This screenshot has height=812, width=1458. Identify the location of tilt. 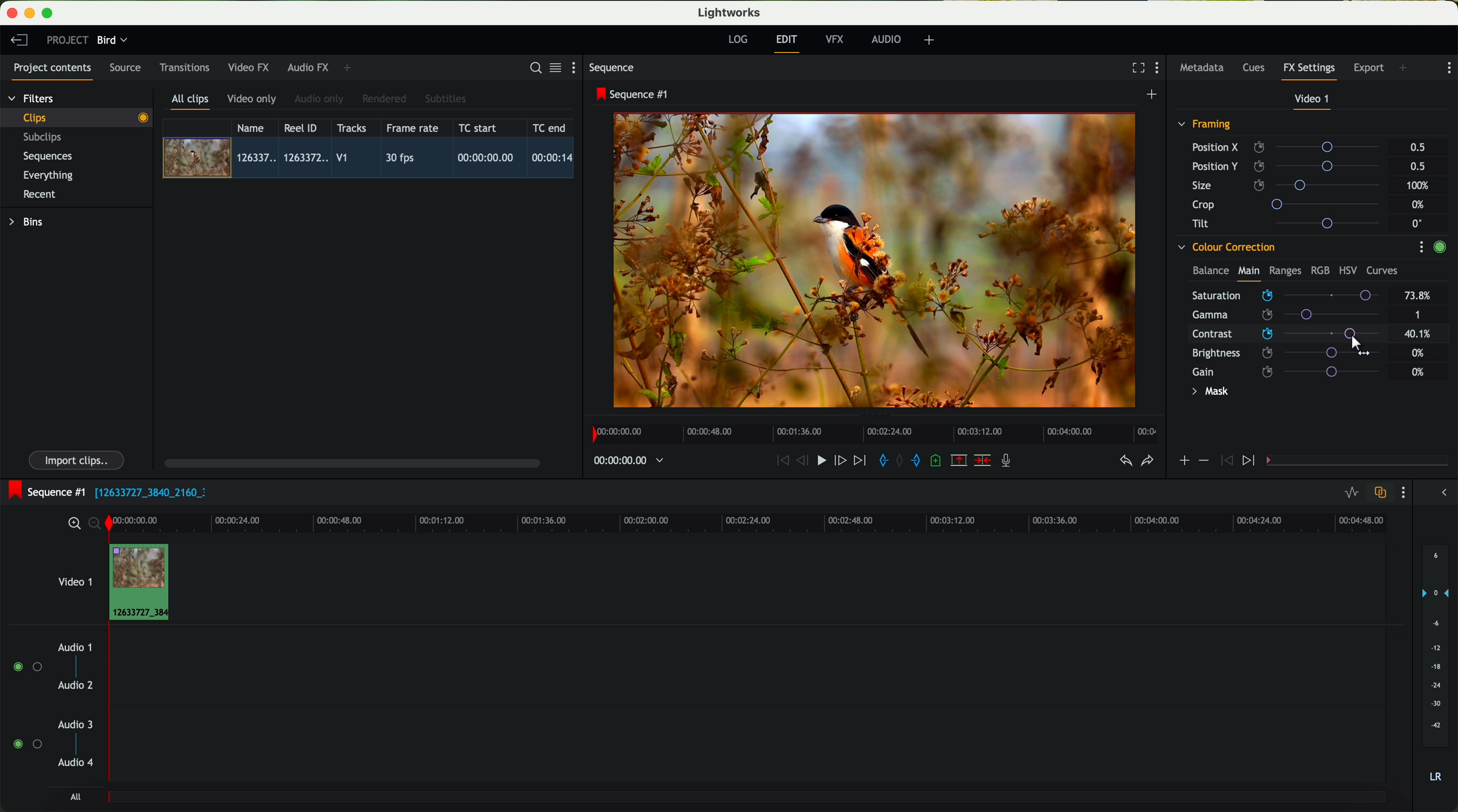
(1291, 223).